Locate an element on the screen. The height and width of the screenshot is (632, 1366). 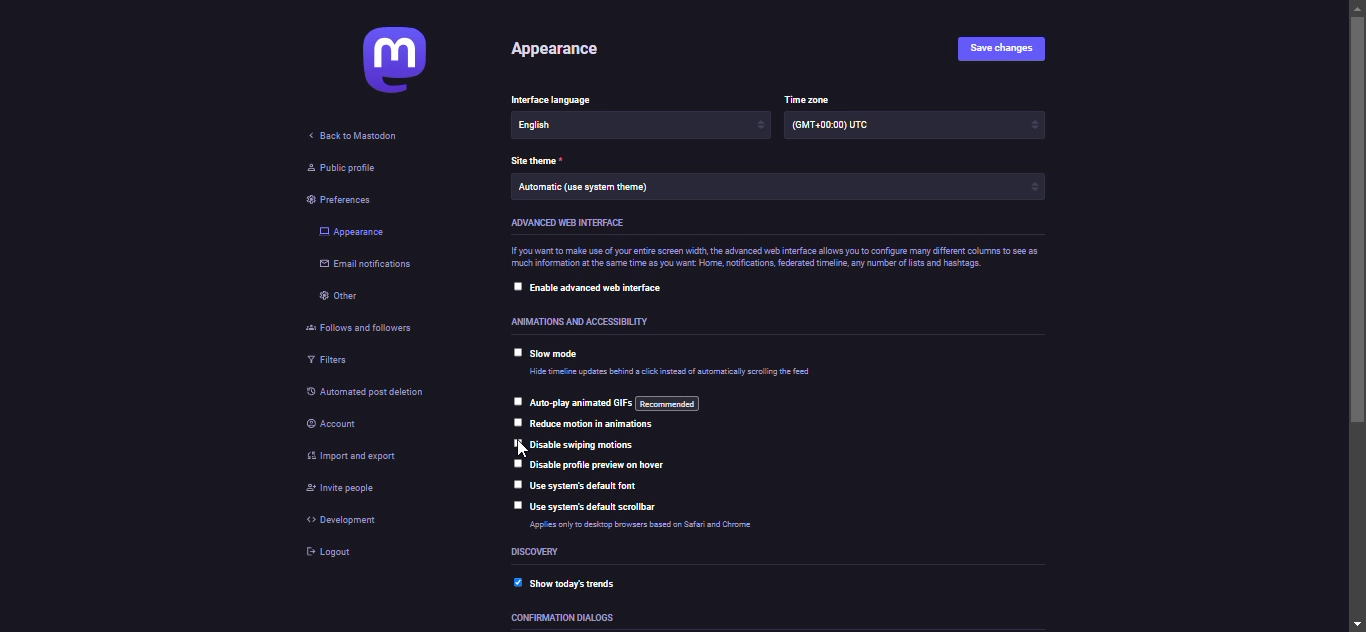
accessibility is located at coordinates (567, 320).